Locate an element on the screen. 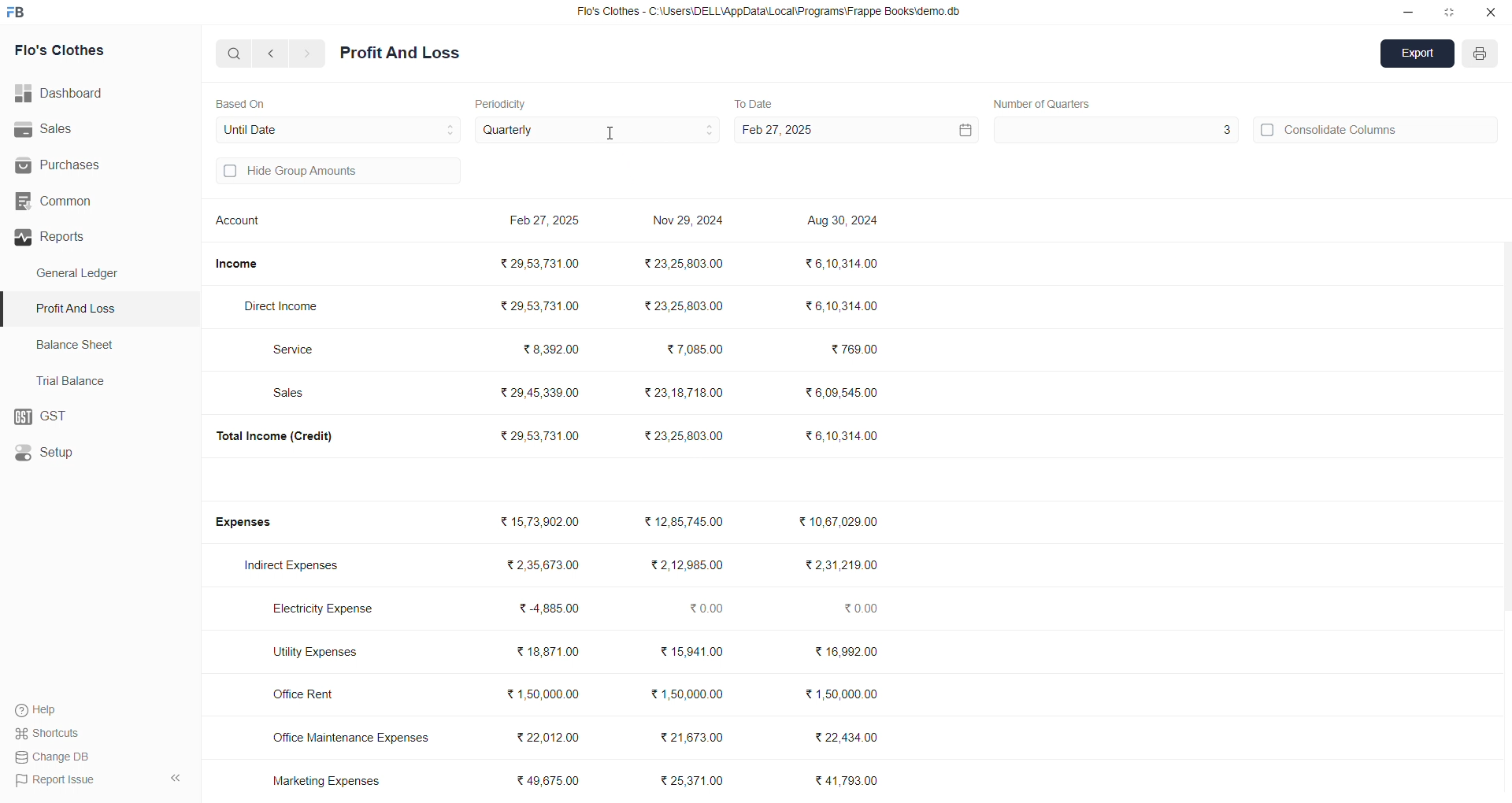  Electricity Expense is located at coordinates (328, 610).